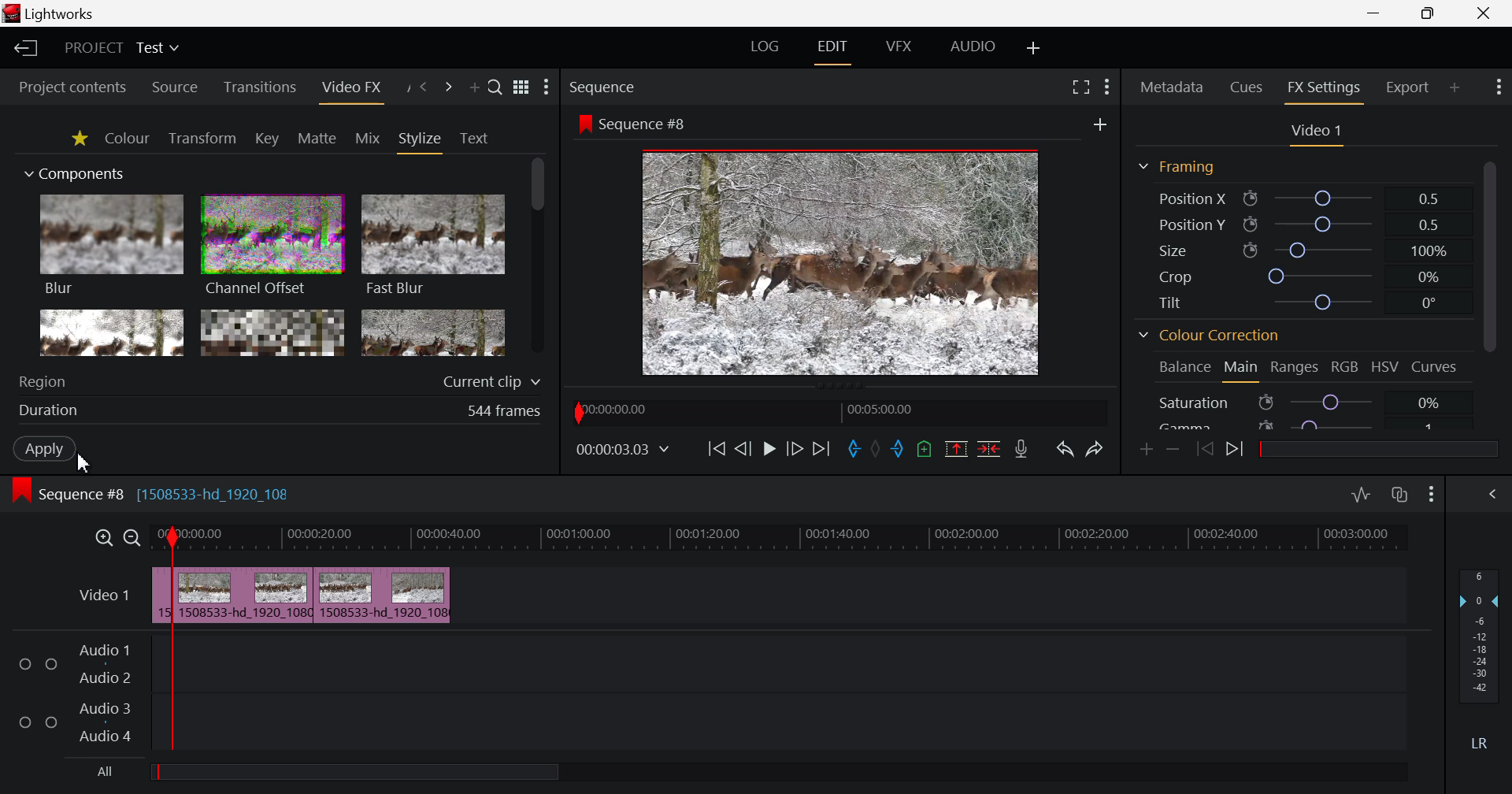  Describe the element at coordinates (474, 87) in the screenshot. I see `Add Panel` at that location.